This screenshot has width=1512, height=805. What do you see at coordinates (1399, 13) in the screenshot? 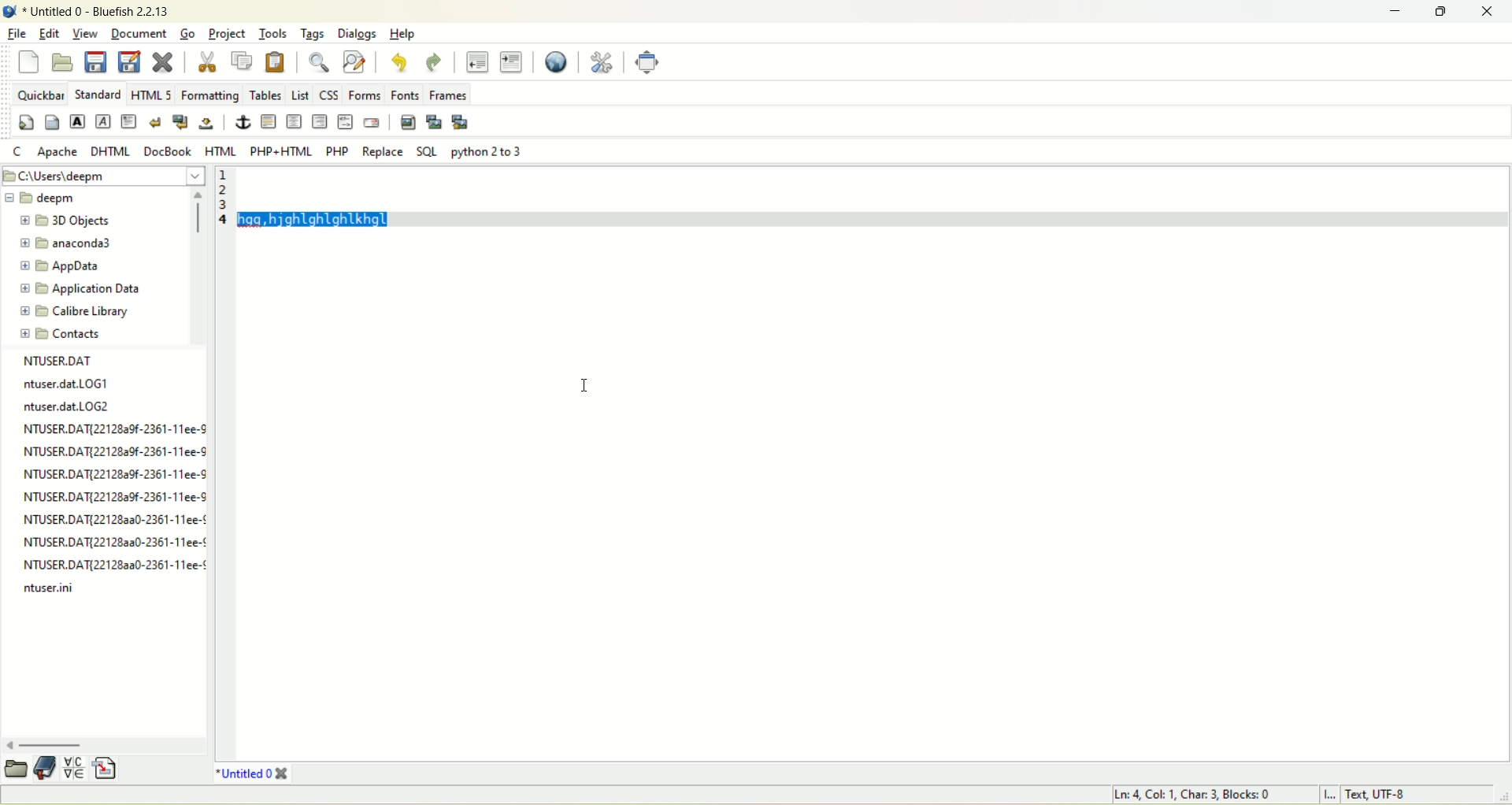
I see `minimize` at bounding box center [1399, 13].